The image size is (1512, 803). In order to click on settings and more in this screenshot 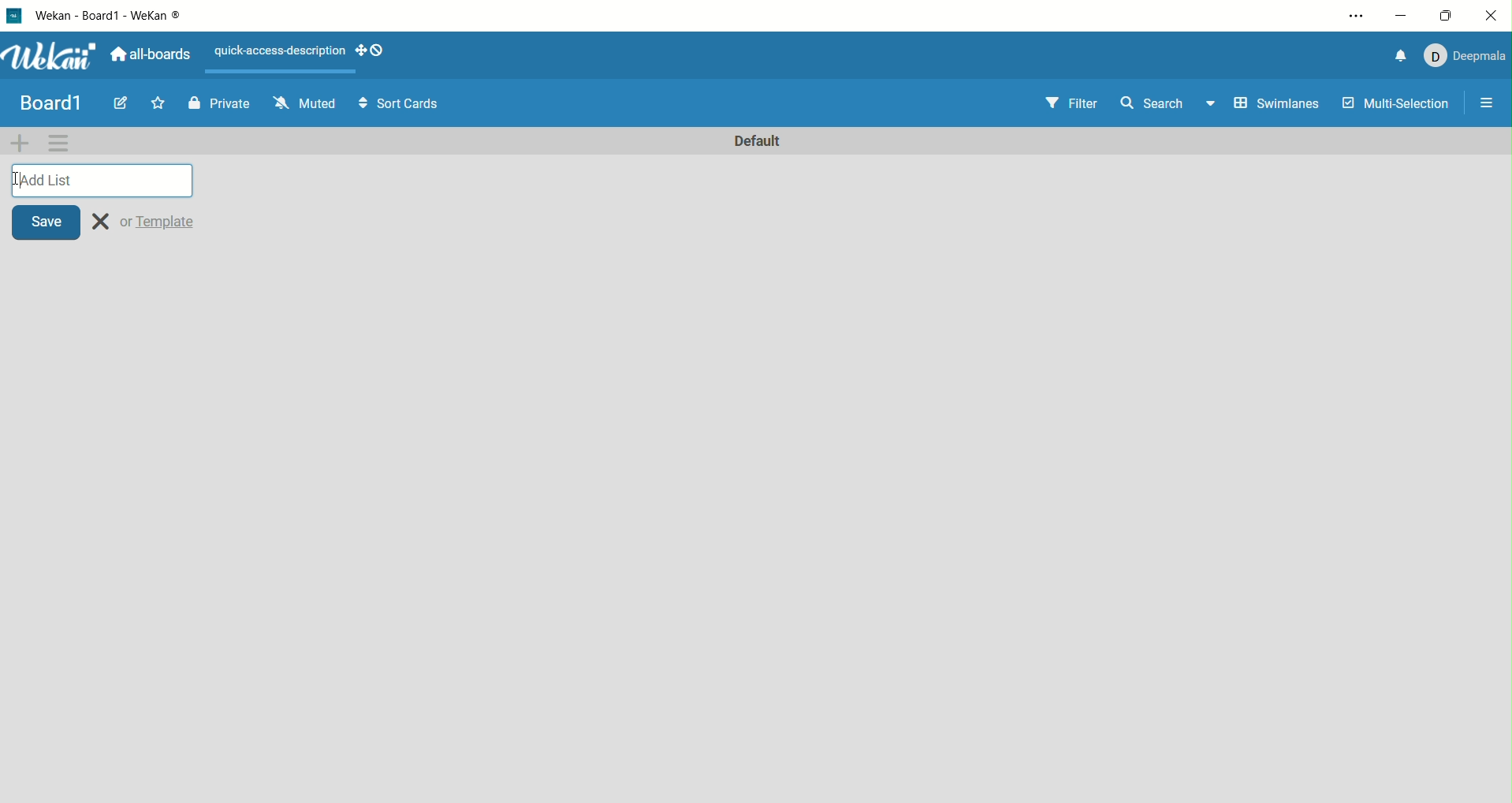, I will do `click(1356, 16)`.